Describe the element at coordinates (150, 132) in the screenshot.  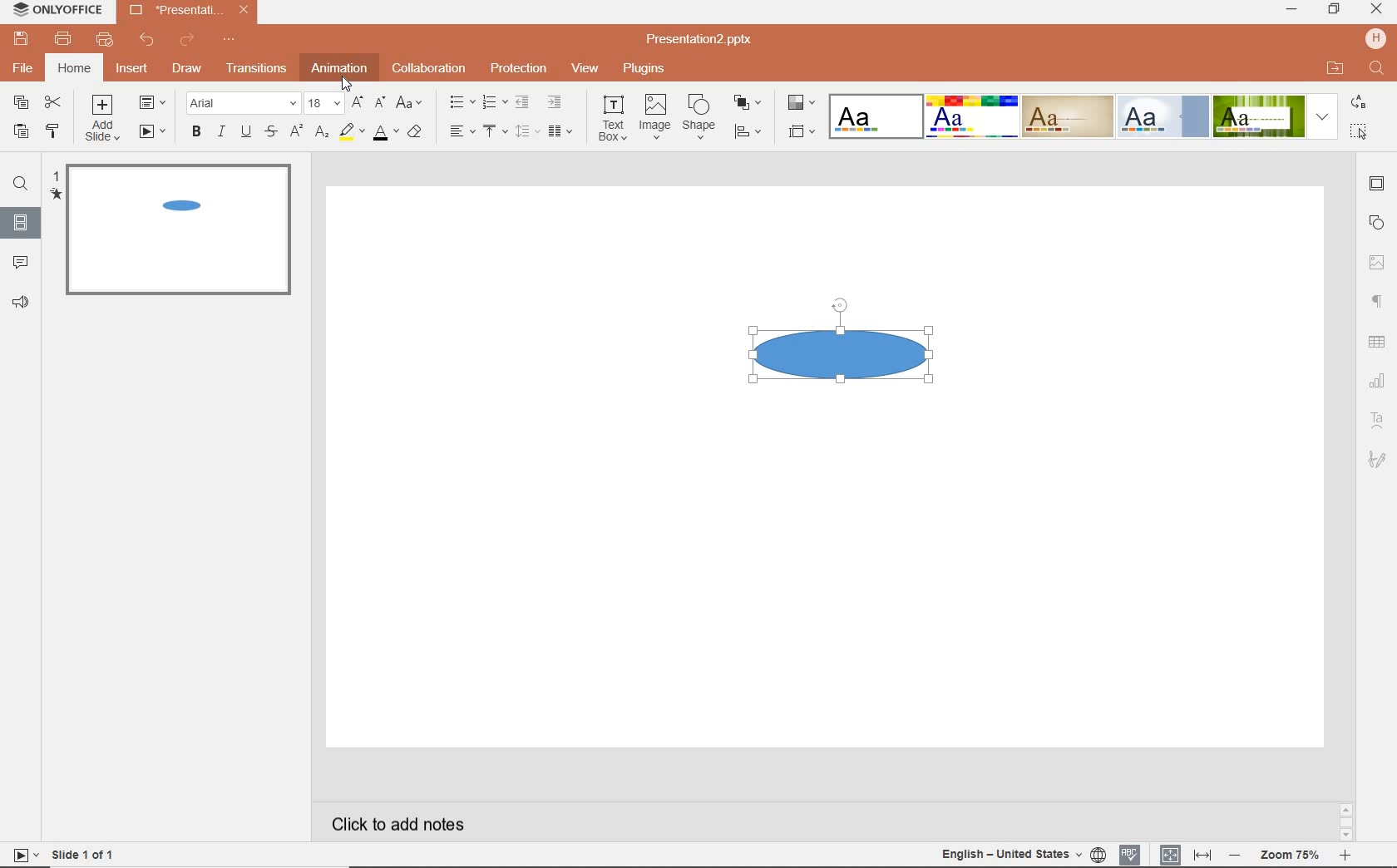
I see `START SLIDESHOW` at that location.